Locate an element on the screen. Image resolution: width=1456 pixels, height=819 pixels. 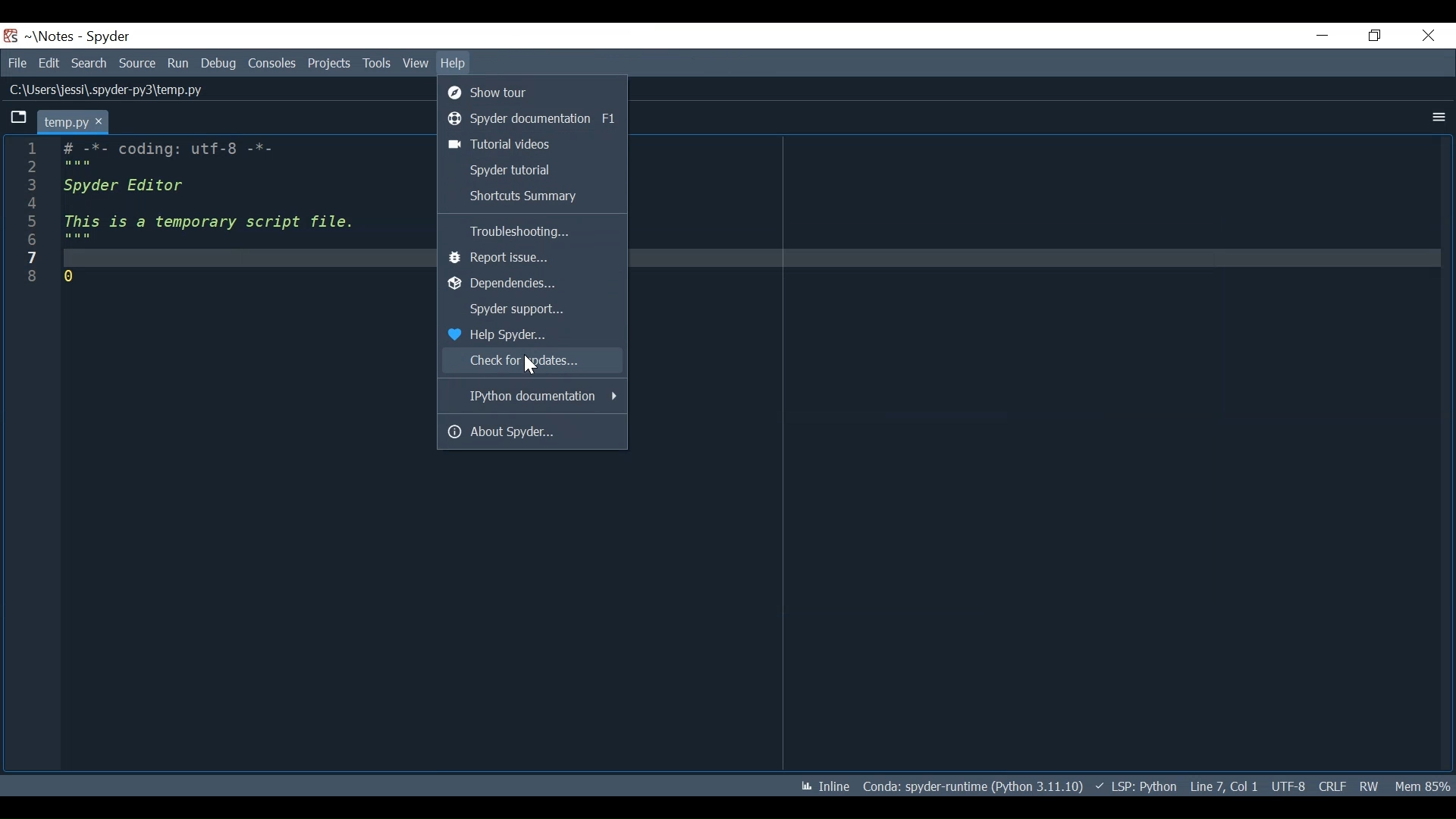
Search is located at coordinates (90, 62).